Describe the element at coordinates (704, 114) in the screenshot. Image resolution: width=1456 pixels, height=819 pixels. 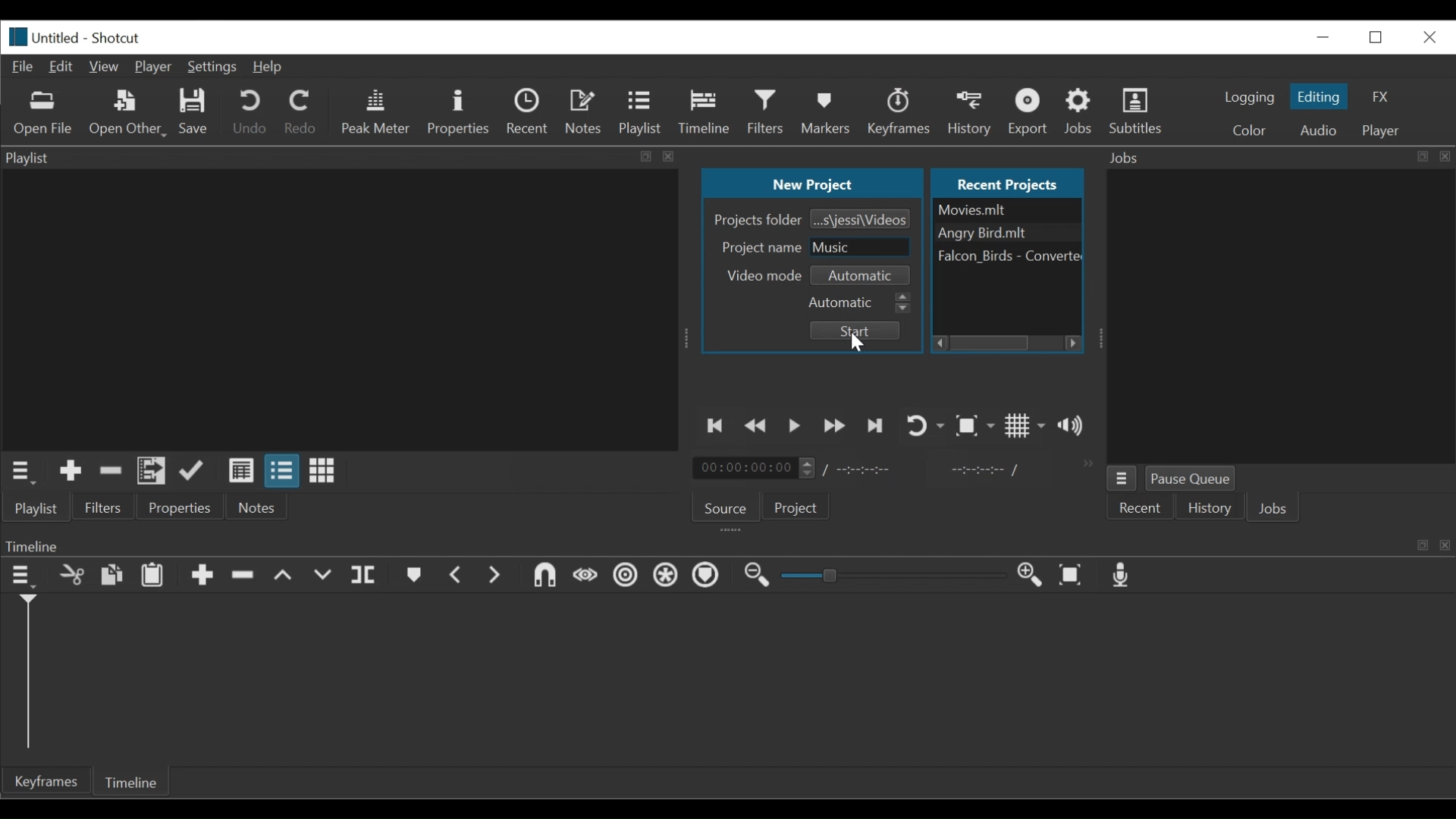
I see `Timeline` at that location.